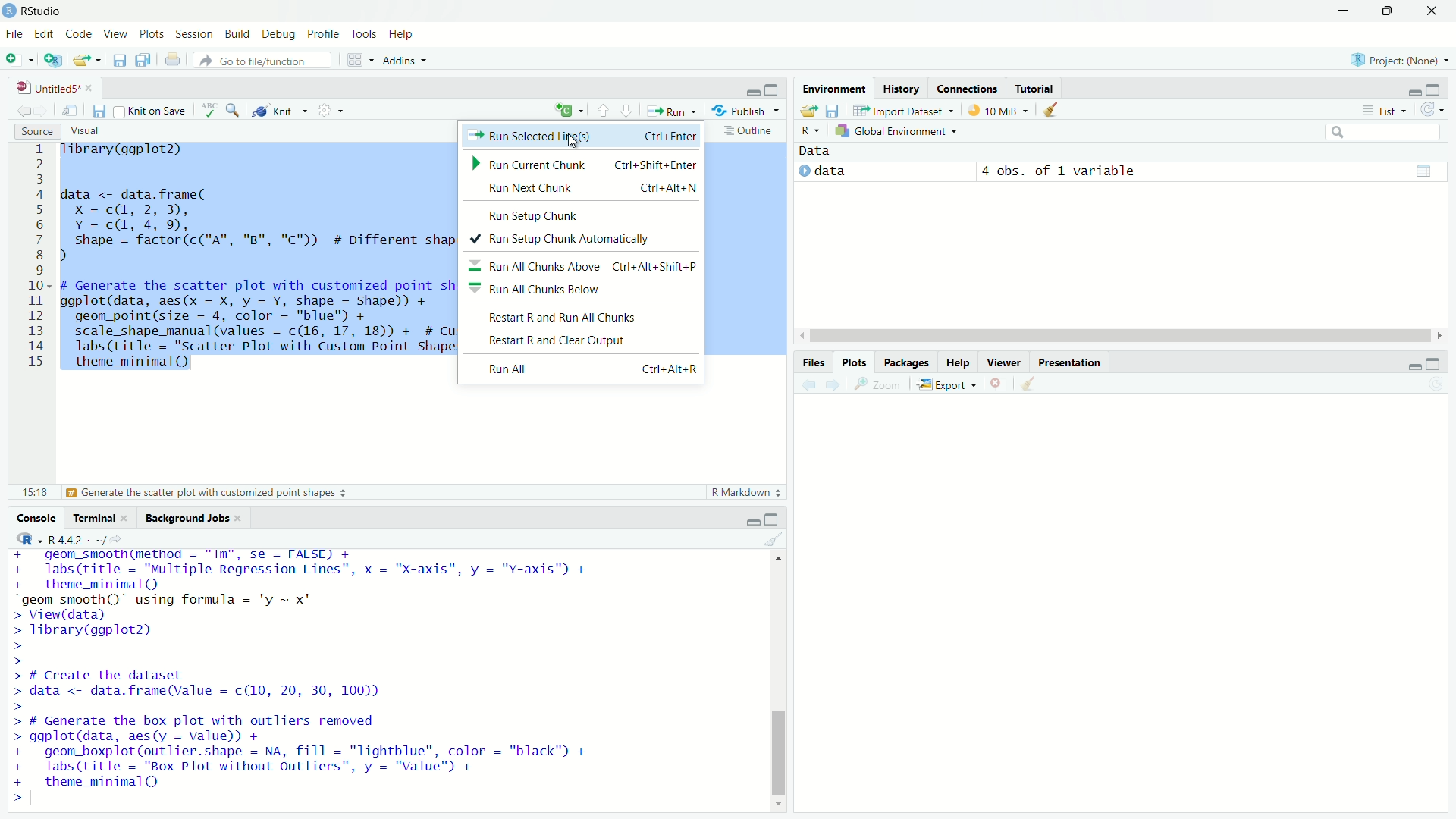  I want to click on Save current document, so click(119, 60).